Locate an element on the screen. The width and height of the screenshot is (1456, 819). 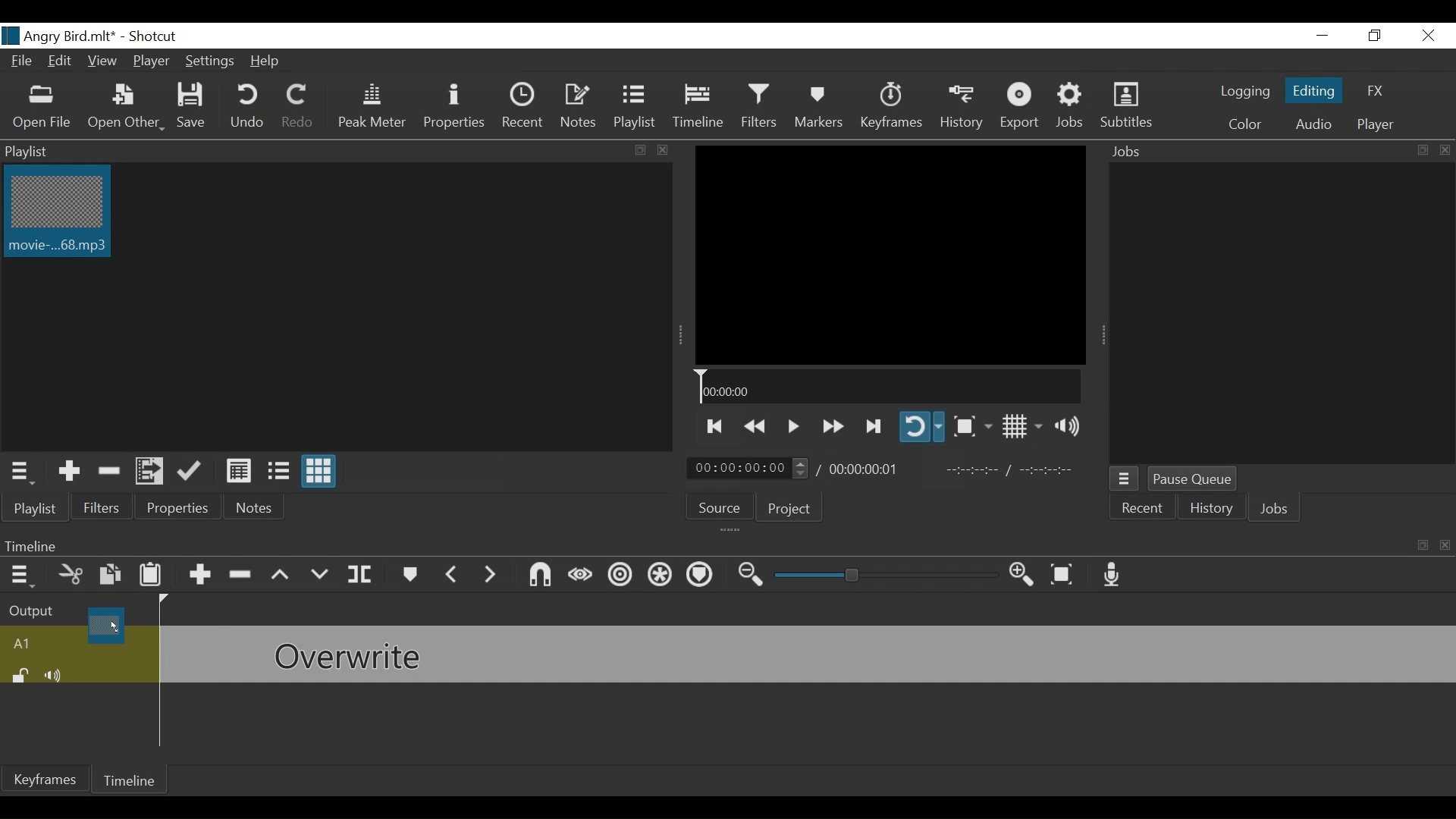
Lift is located at coordinates (281, 575).